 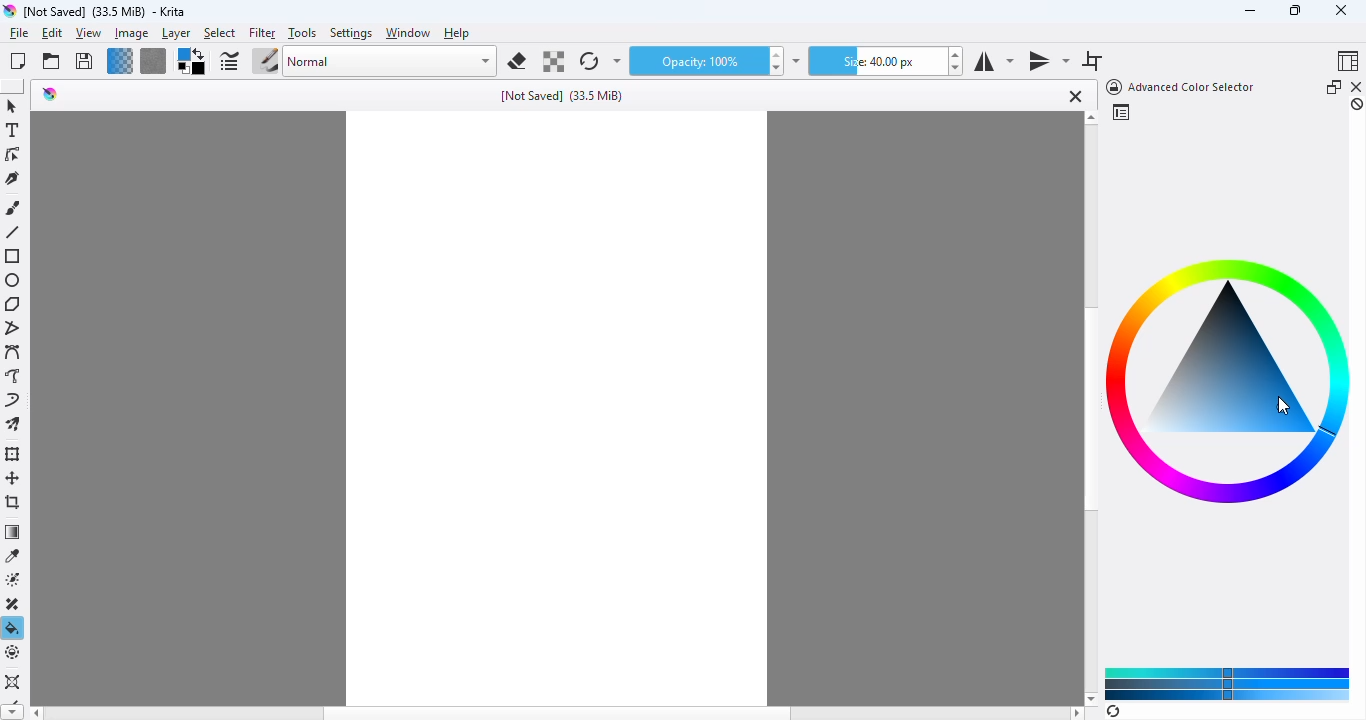 What do you see at coordinates (9, 11) in the screenshot?
I see `logo` at bounding box center [9, 11].